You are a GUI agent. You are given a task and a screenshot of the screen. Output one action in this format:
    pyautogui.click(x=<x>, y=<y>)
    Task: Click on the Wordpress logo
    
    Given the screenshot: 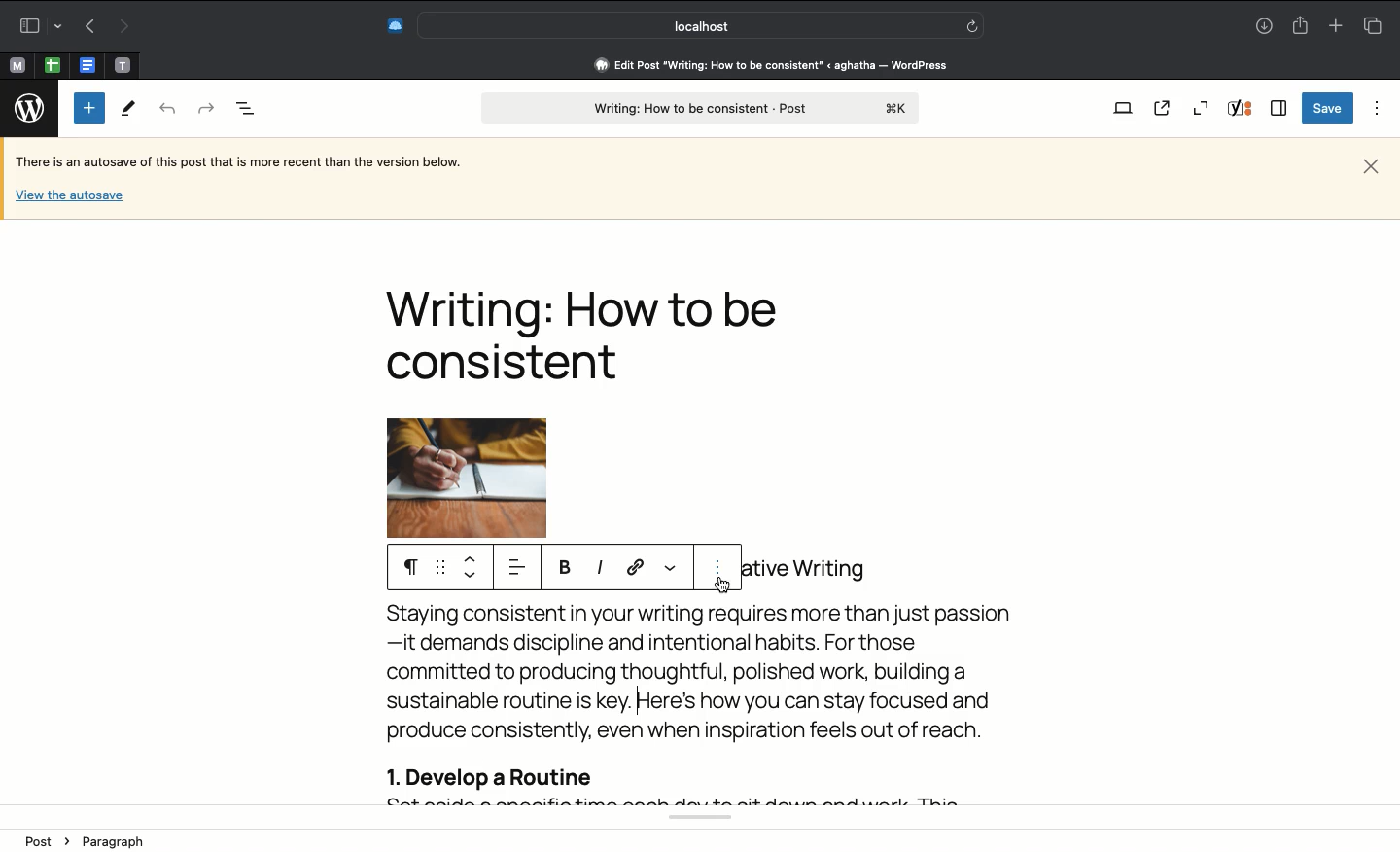 What is the action you would take?
    pyautogui.click(x=32, y=107)
    